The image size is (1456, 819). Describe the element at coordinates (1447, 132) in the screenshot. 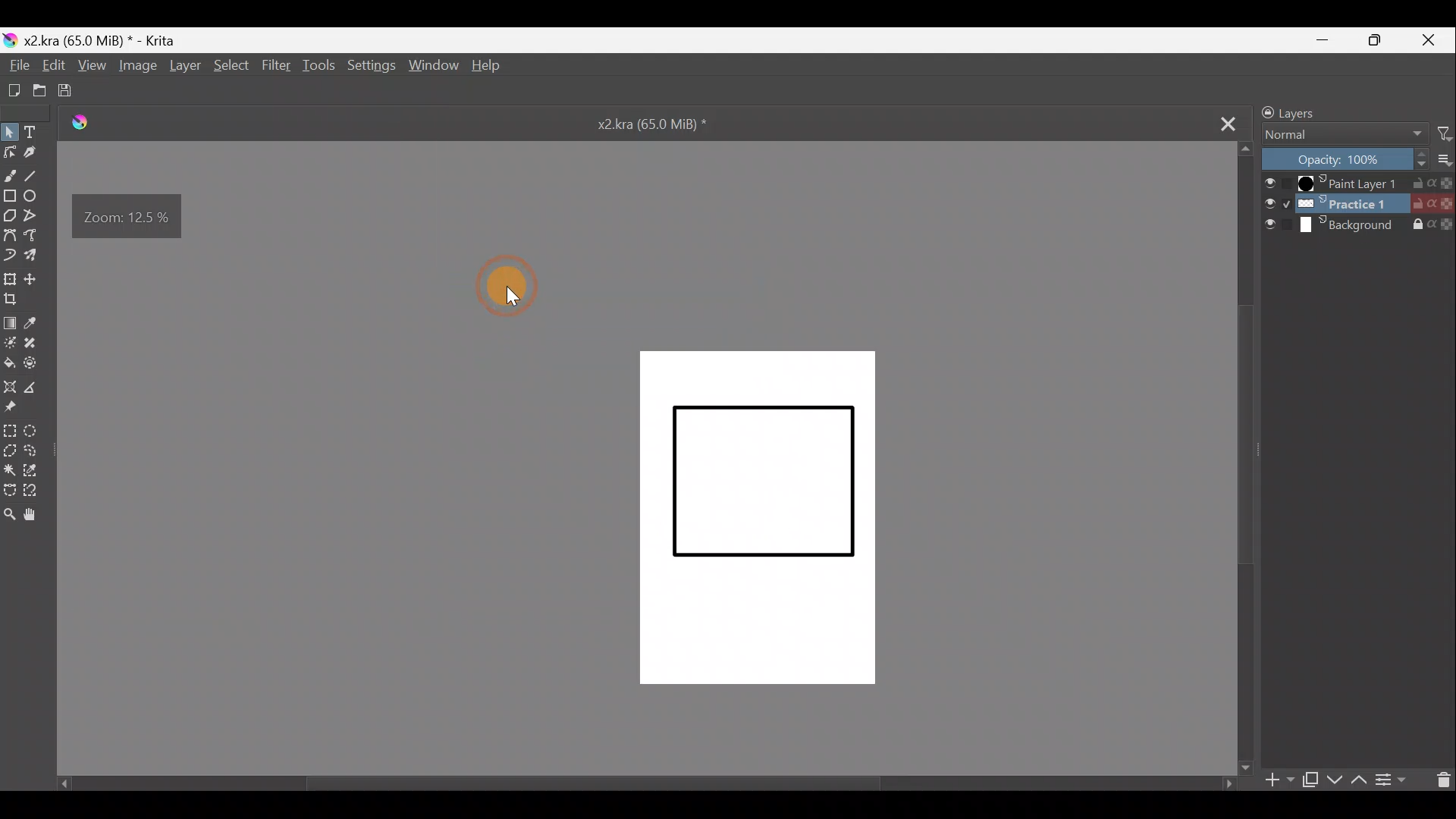

I see `Filter` at that location.